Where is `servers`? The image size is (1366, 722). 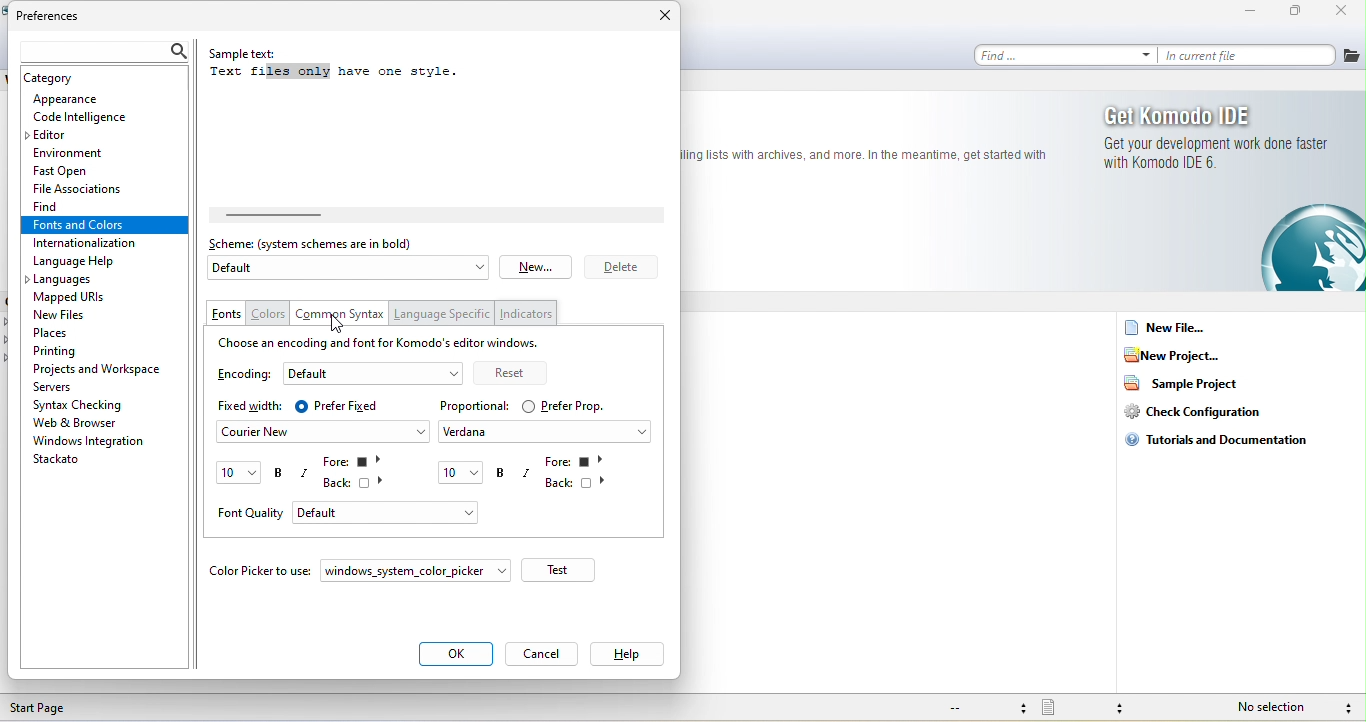 servers is located at coordinates (66, 387).